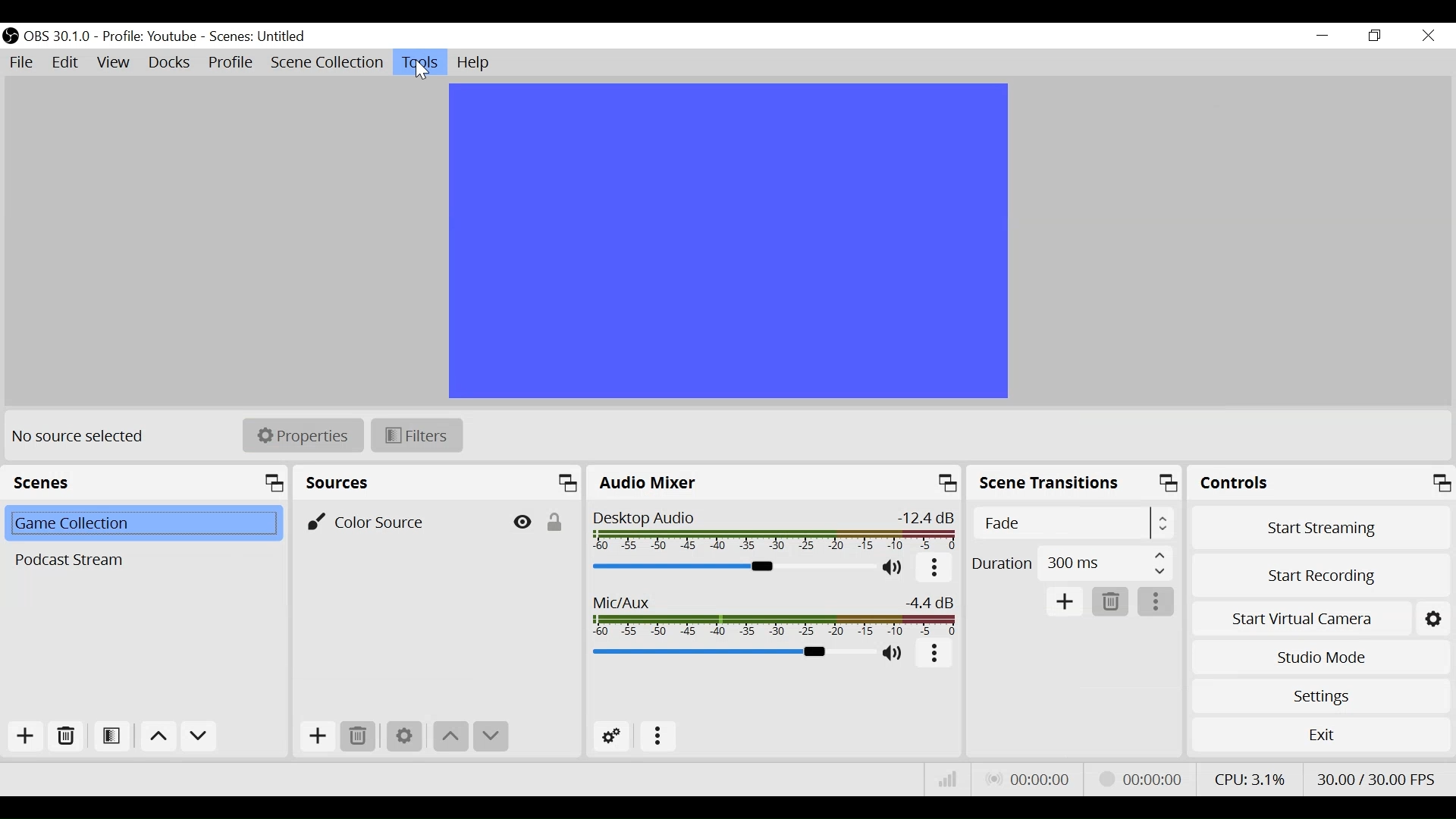 The image size is (1456, 819). What do you see at coordinates (404, 738) in the screenshot?
I see `Settings` at bounding box center [404, 738].